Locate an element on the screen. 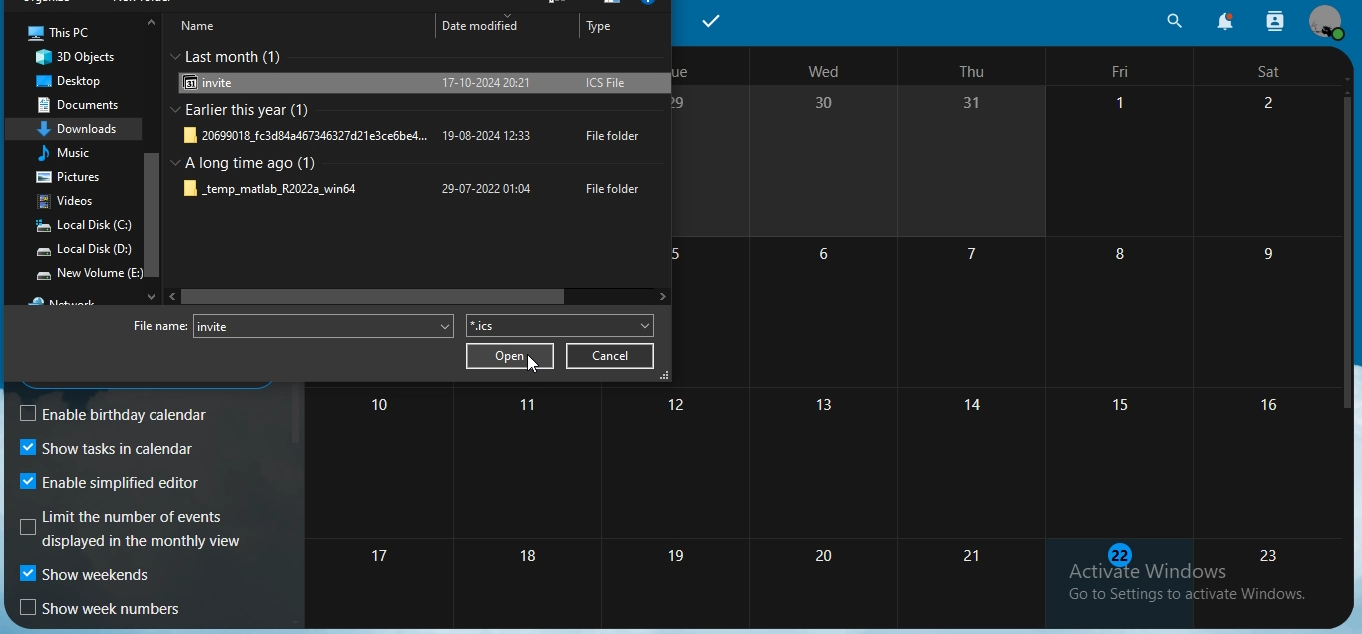 The image size is (1362, 634). local disk D is located at coordinates (83, 252).